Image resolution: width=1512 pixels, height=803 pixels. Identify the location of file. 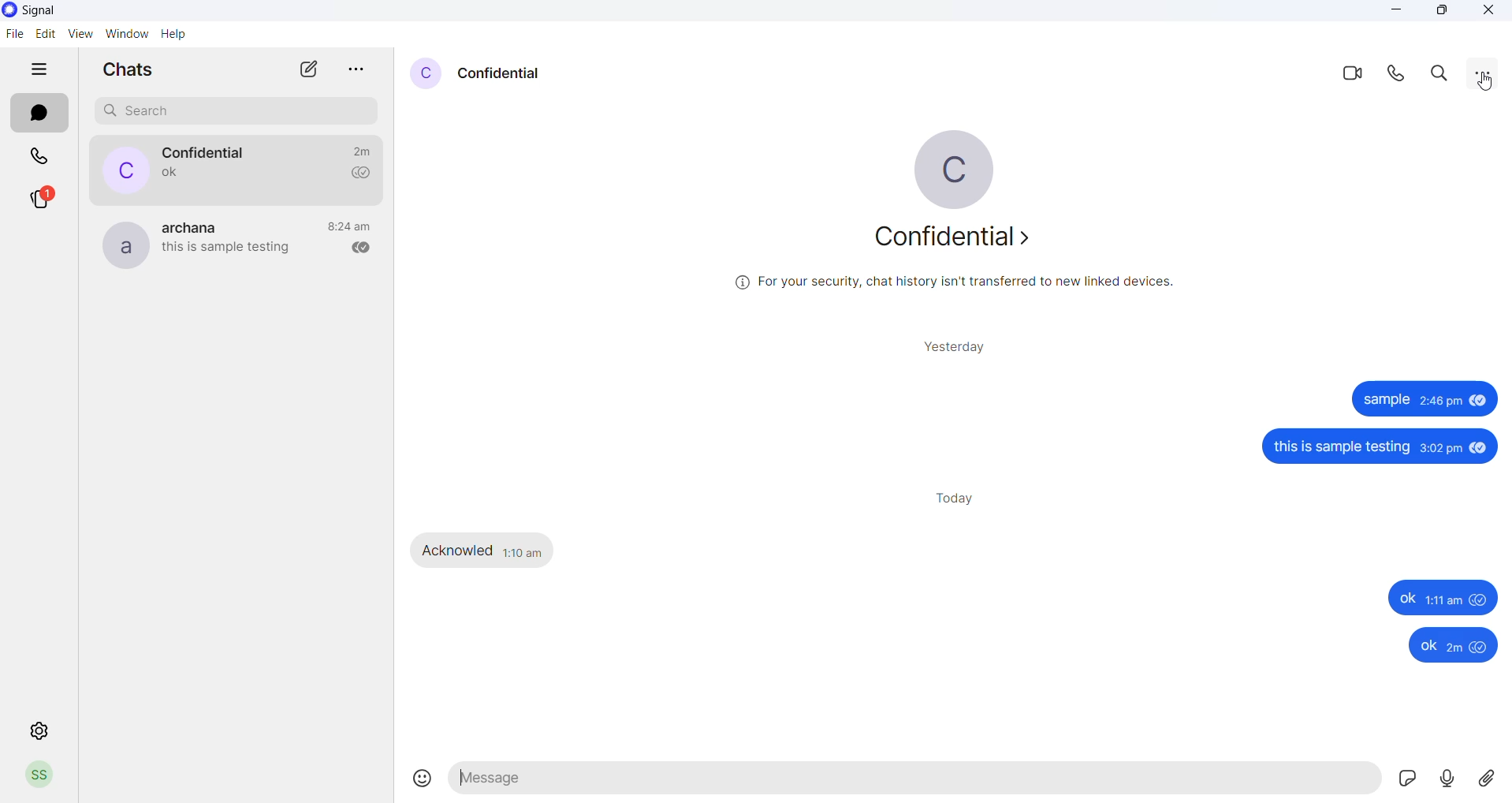
(14, 37).